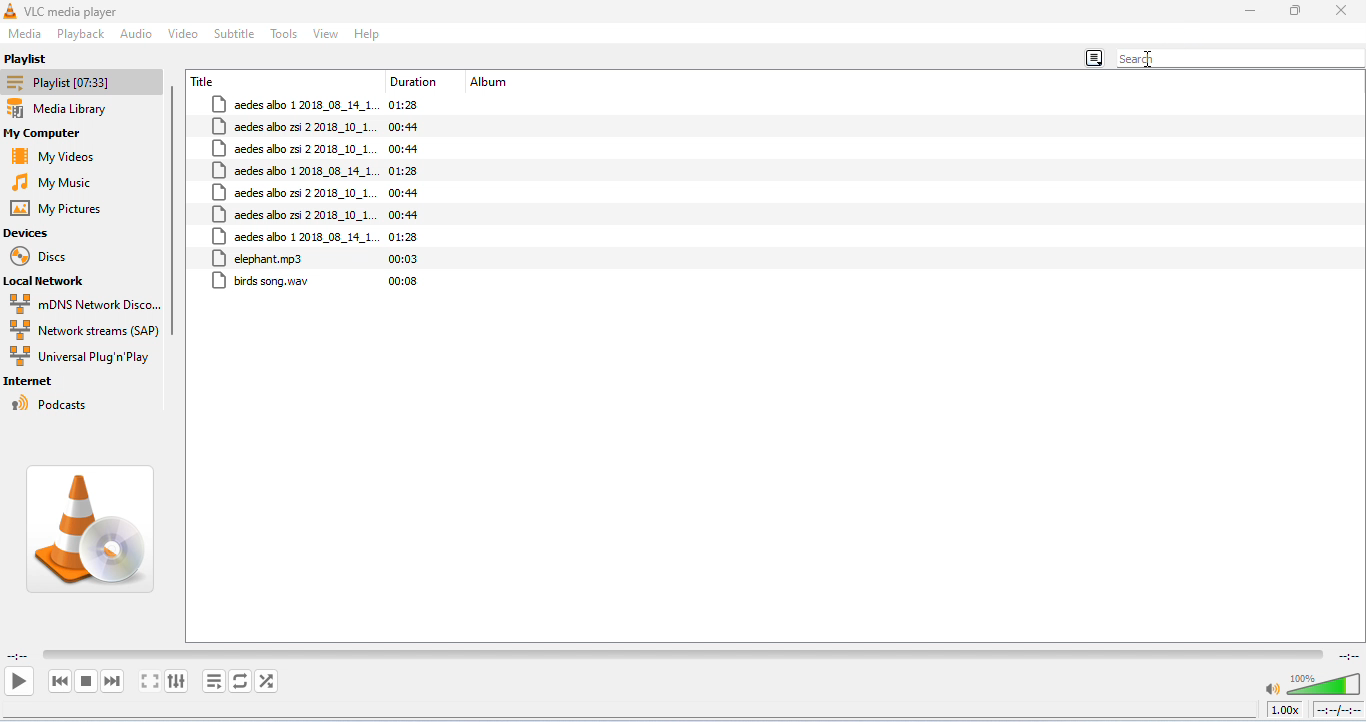  Describe the element at coordinates (266, 681) in the screenshot. I see `random` at that location.